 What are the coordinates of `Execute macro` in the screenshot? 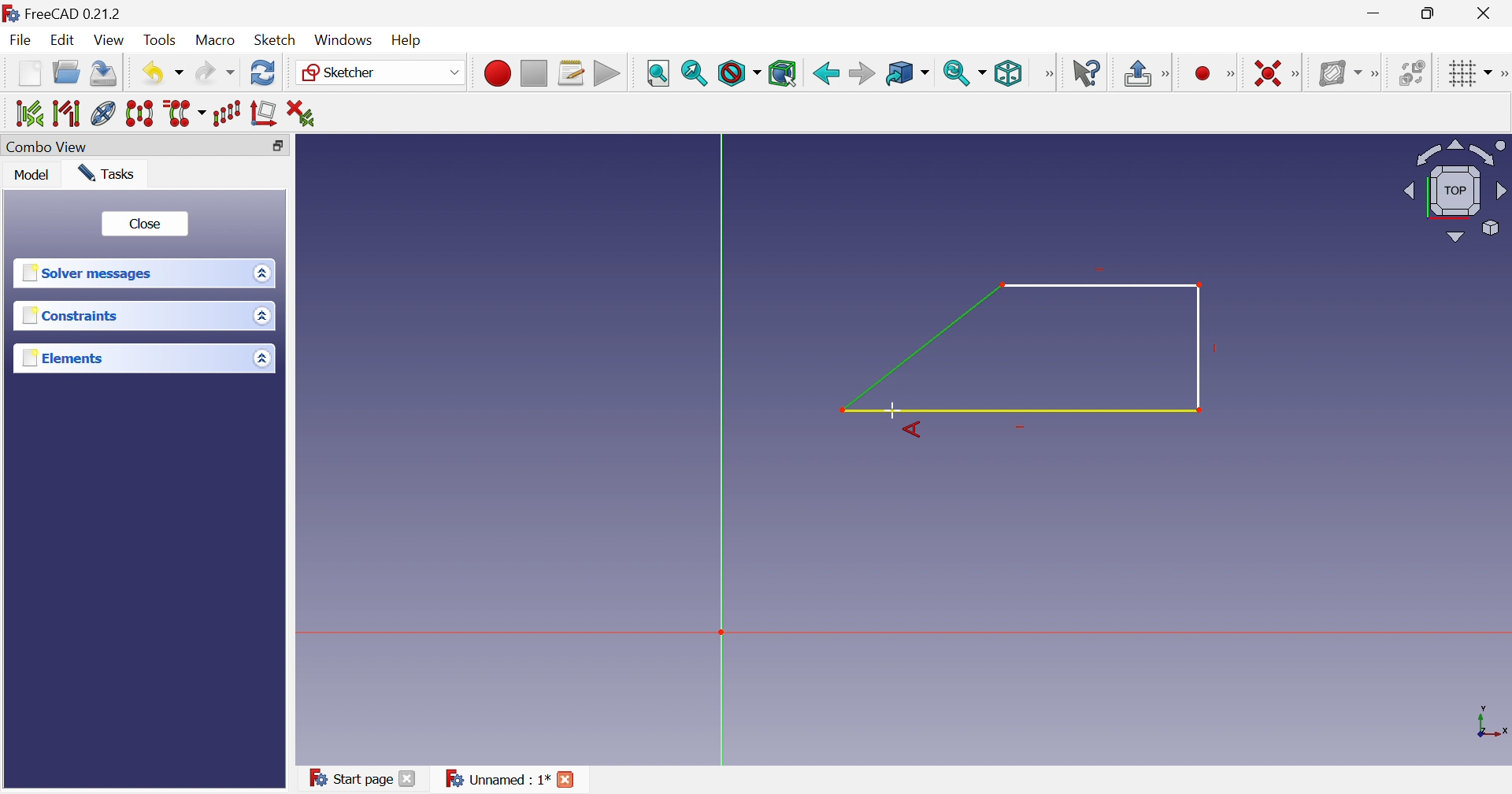 It's located at (606, 73).